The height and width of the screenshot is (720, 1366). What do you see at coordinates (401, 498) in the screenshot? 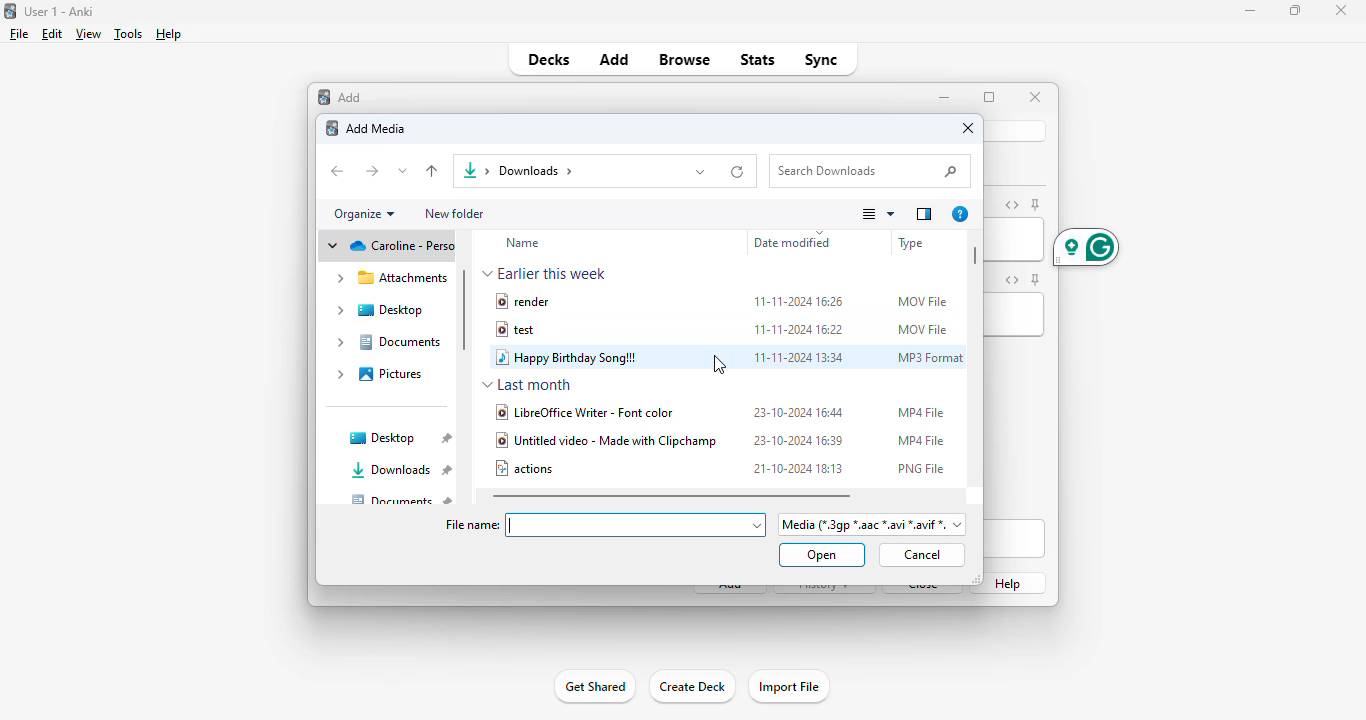
I see `documents` at bounding box center [401, 498].